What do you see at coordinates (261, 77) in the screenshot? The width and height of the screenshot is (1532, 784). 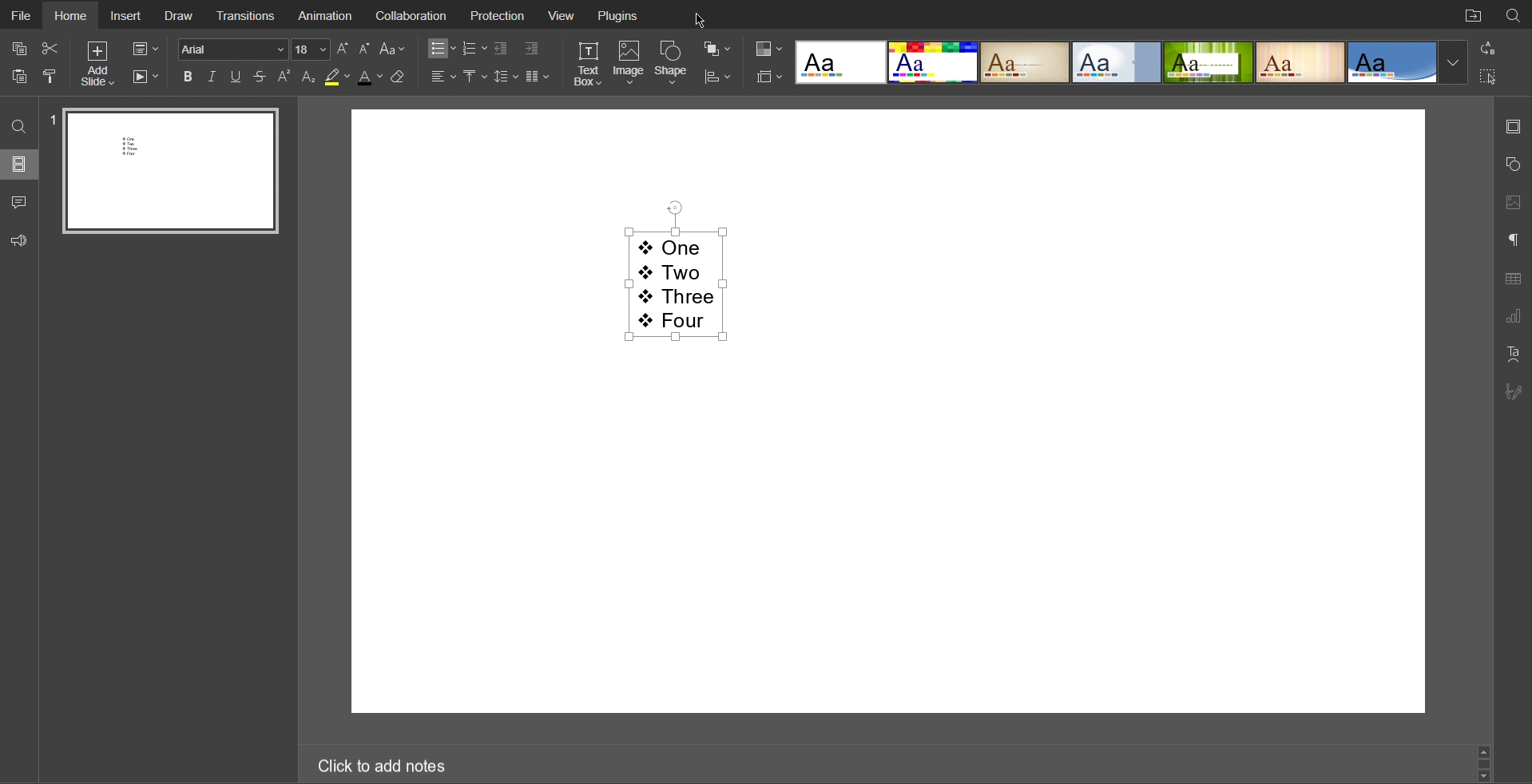 I see `Strikethrough` at bounding box center [261, 77].